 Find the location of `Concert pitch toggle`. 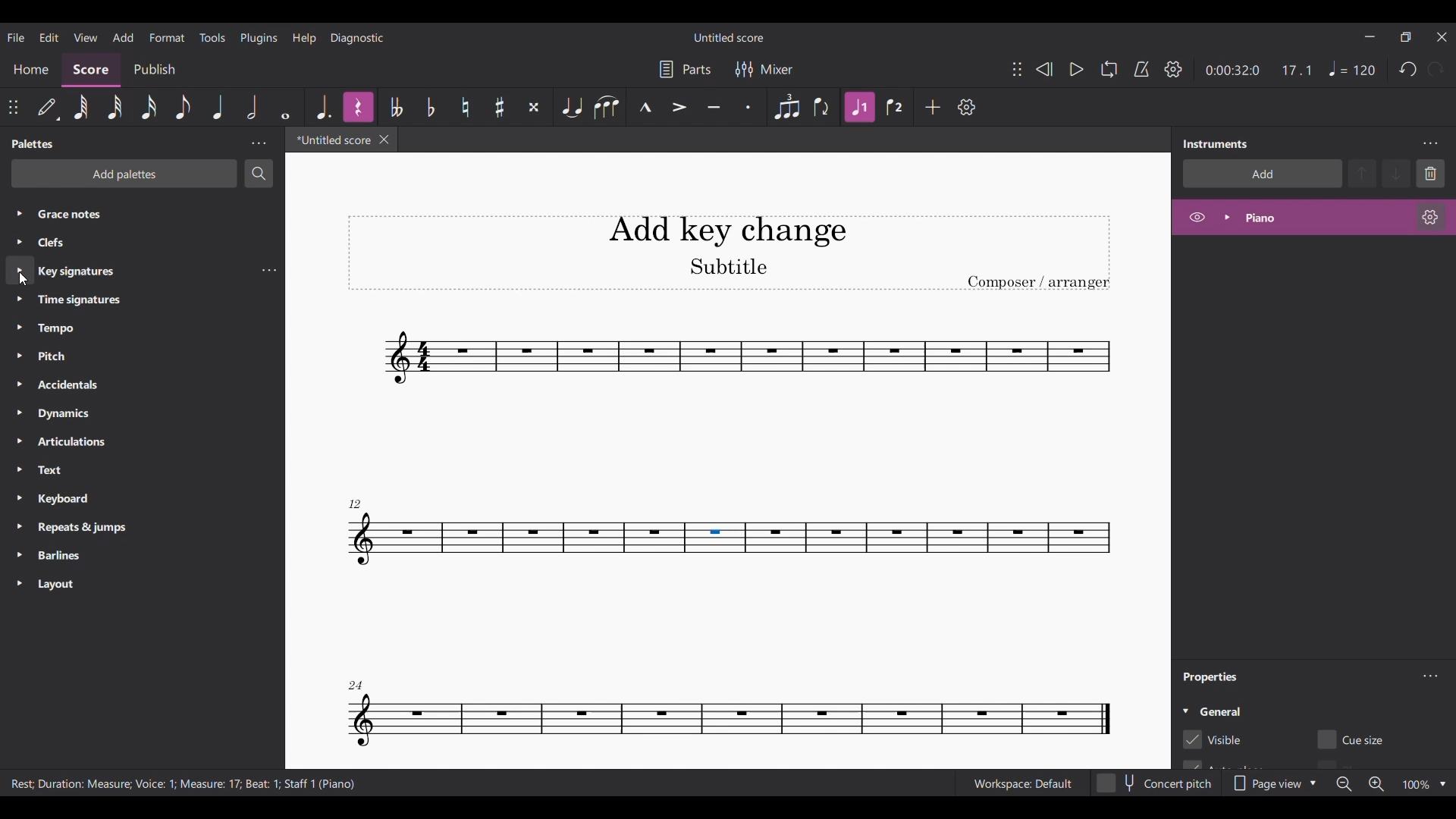

Concert pitch toggle is located at coordinates (1155, 784).